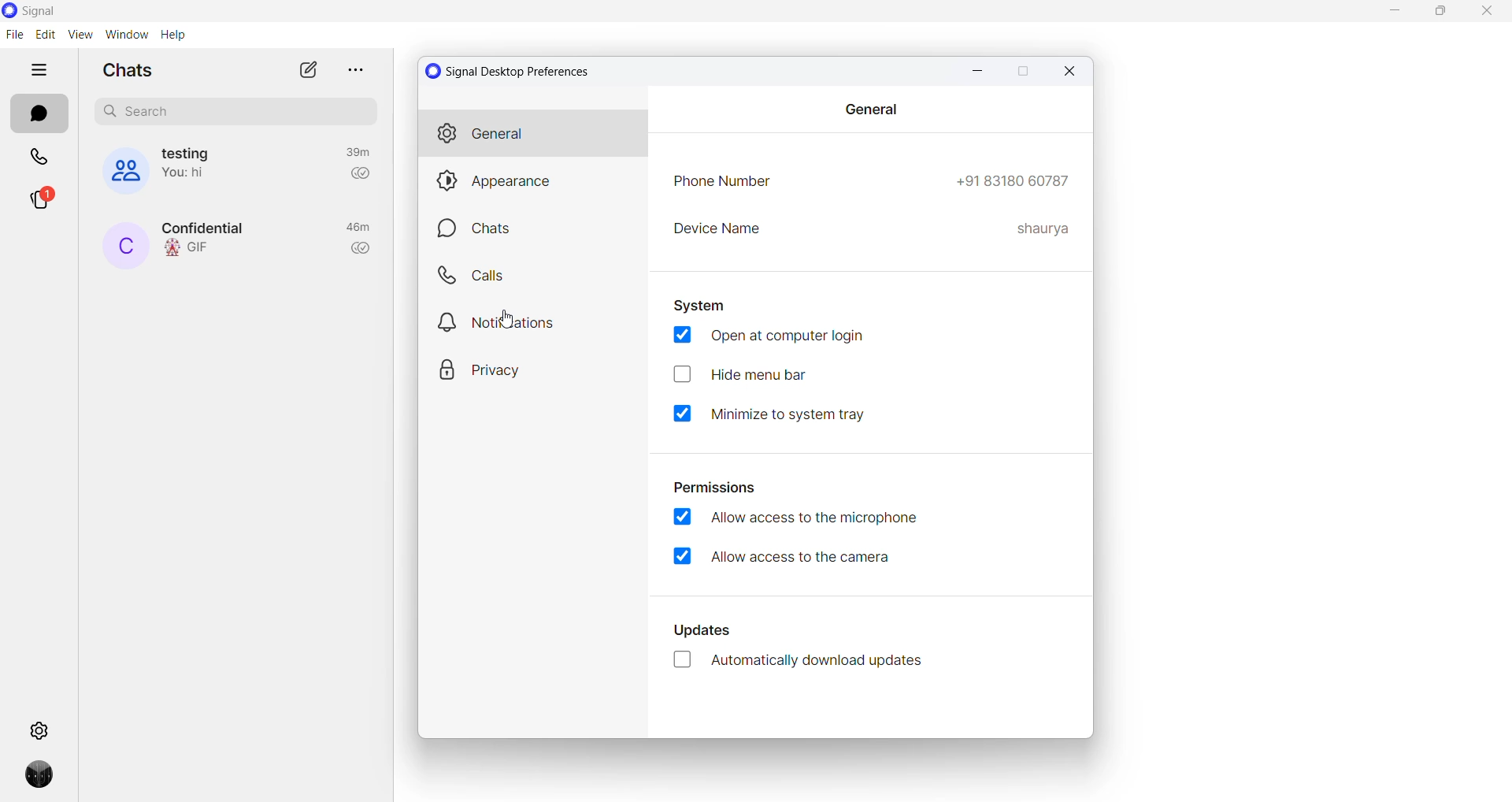  I want to click on hide tabs, so click(42, 70).